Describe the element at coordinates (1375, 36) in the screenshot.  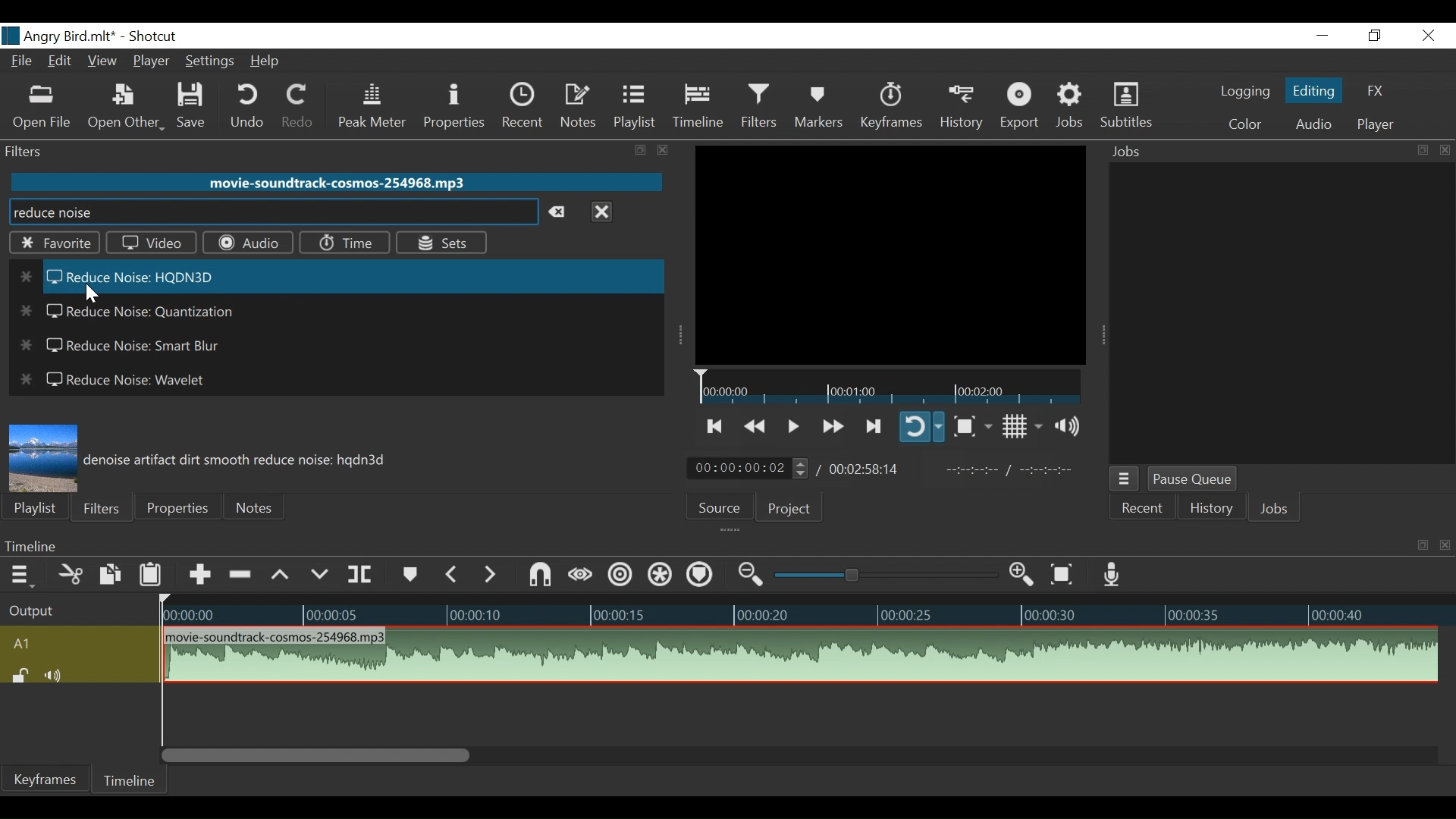
I see `Restore` at that location.